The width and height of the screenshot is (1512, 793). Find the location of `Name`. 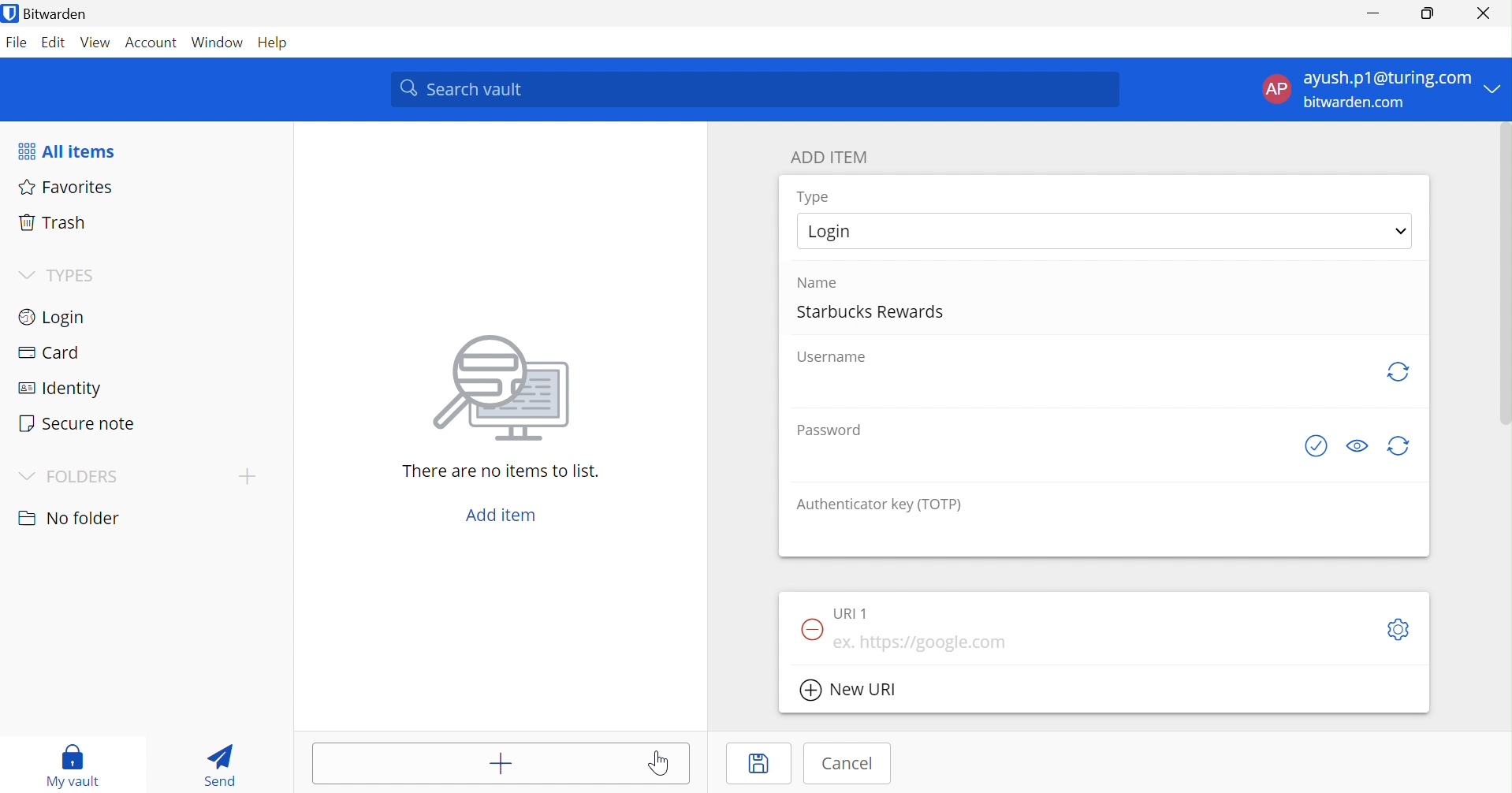

Name is located at coordinates (817, 281).